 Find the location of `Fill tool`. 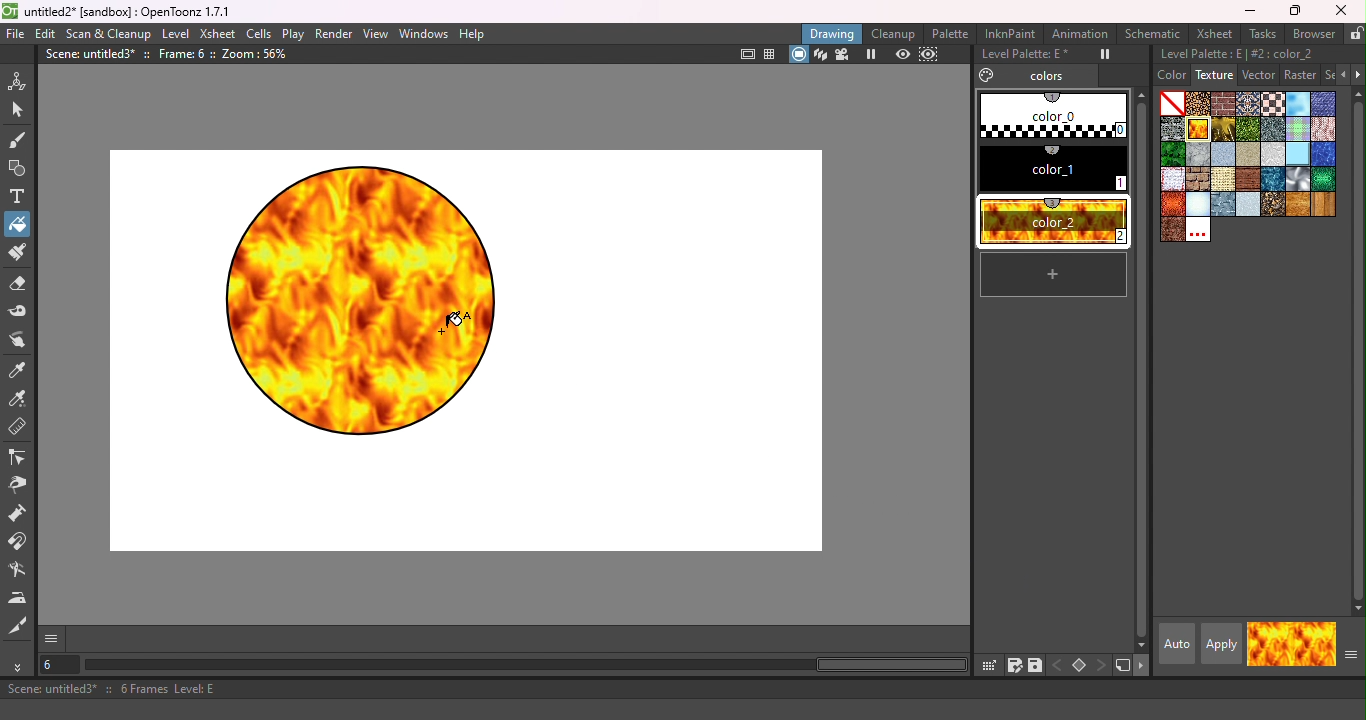

Fill tool is located at coordinates (17, 227).